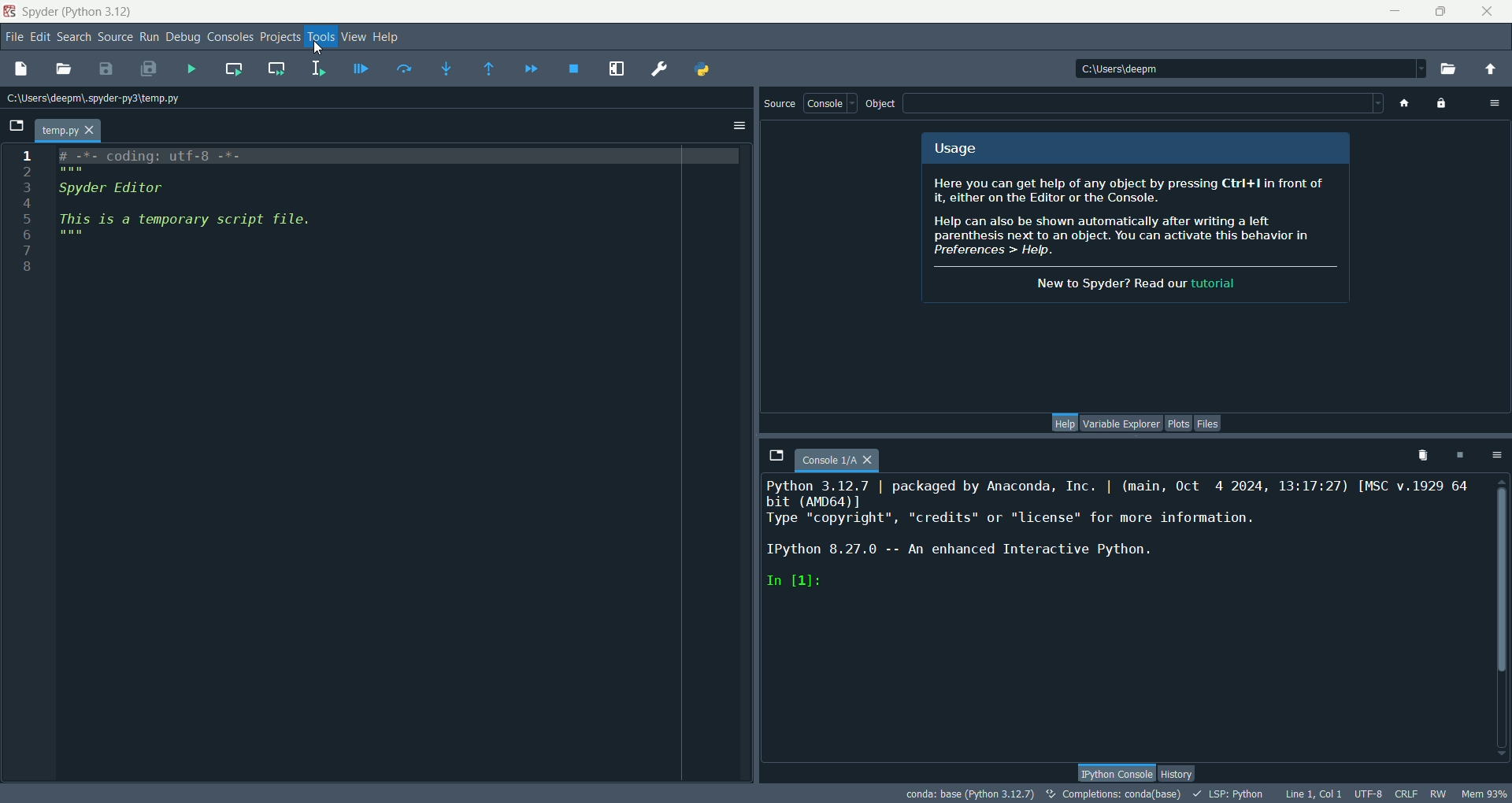 The width and height of the screenshot is (1512, 803). What do you see at coordinates (1180, 425) in the screenshot?
I see `plots` at bounding box center [1180, 425].